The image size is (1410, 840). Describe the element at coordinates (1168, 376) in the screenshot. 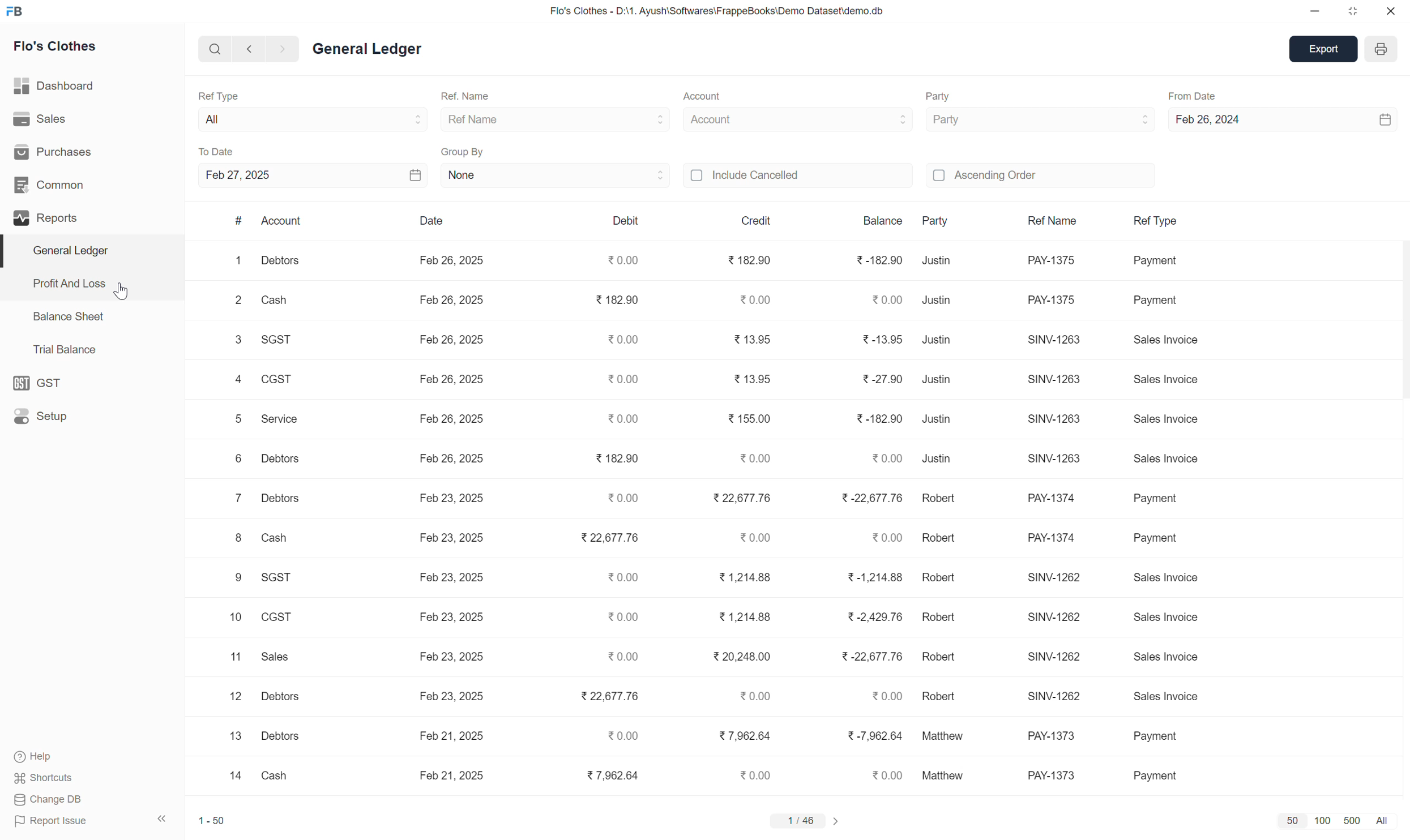

I see `Sales Invoice` at that location.